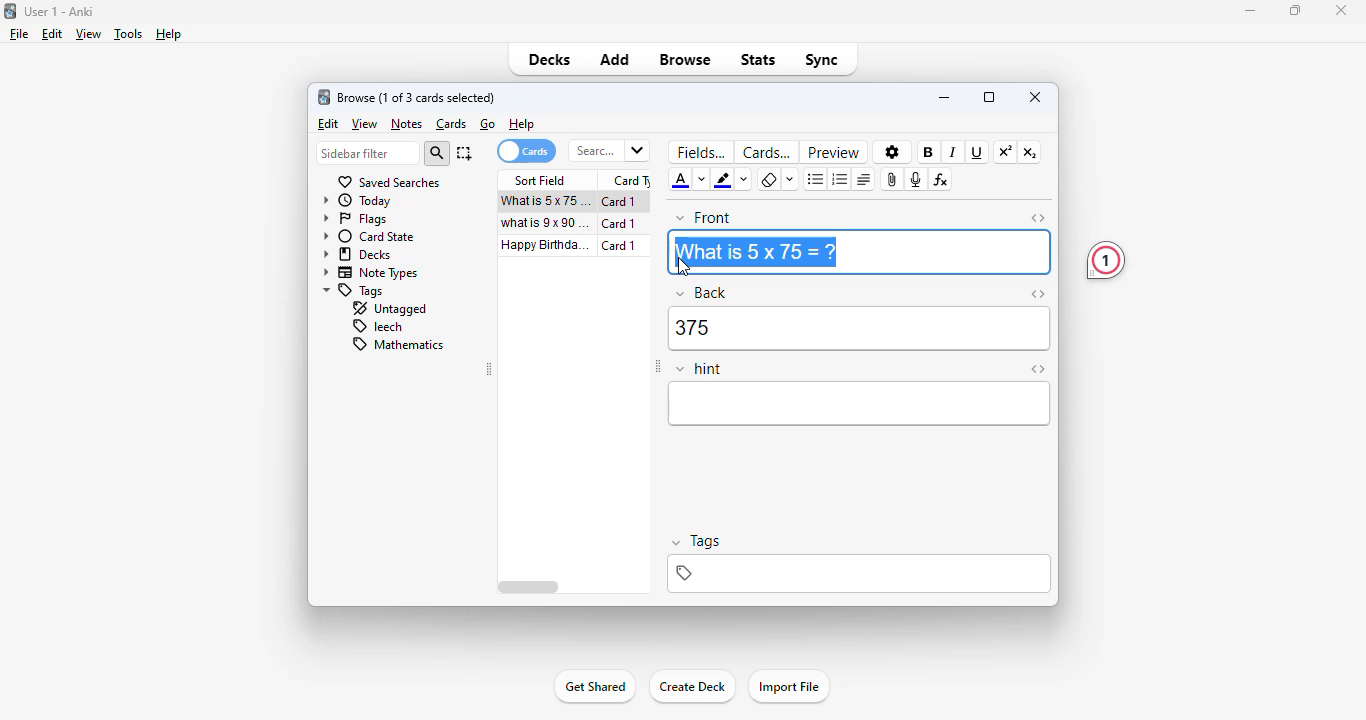  I want to click on back, so click(702, 293).